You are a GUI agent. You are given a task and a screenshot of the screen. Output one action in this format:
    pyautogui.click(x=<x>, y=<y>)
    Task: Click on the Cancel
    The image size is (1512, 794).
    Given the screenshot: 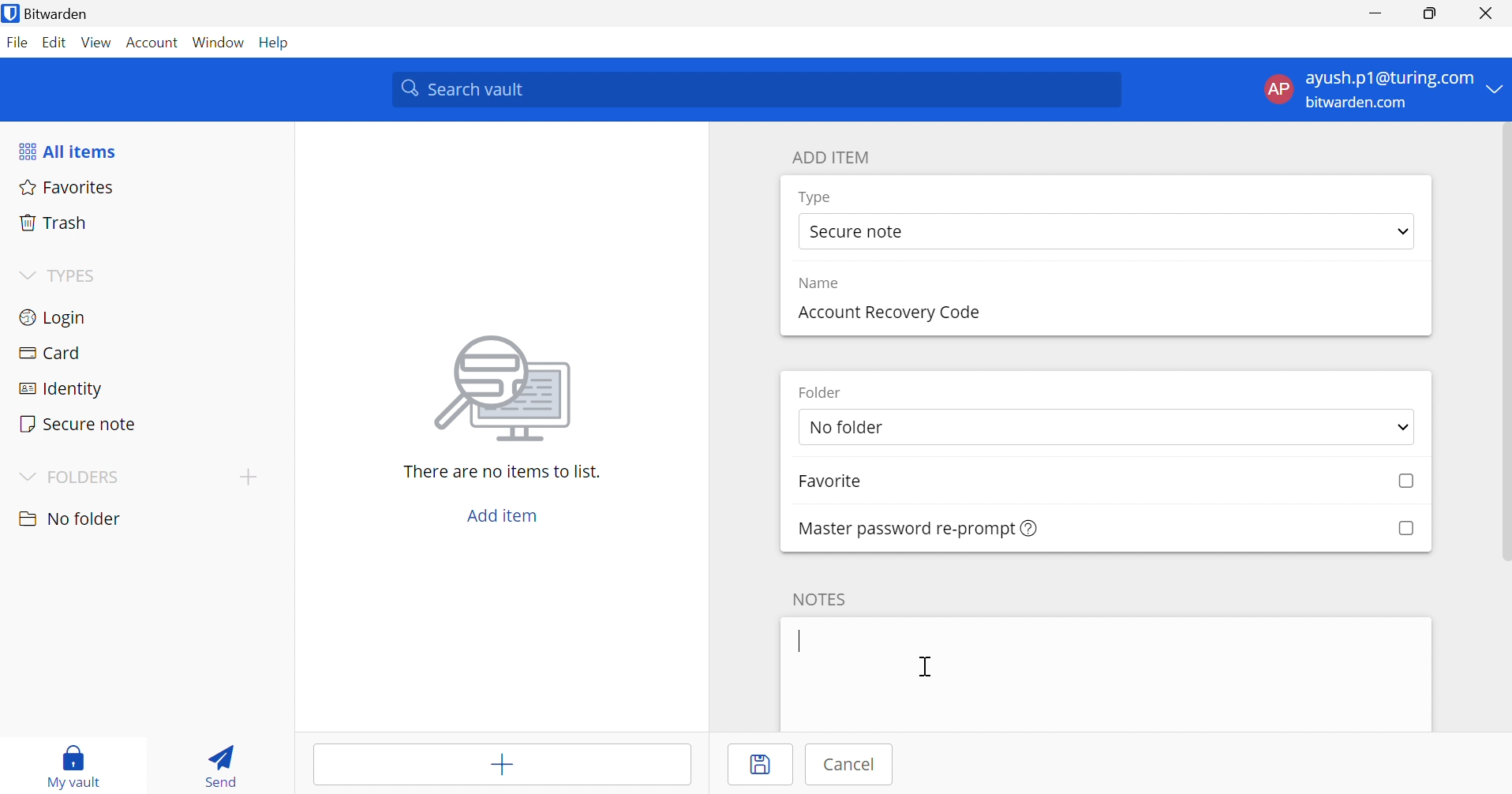 What is the action you would take?
    pyautogui.click(x=855, y=765)
    